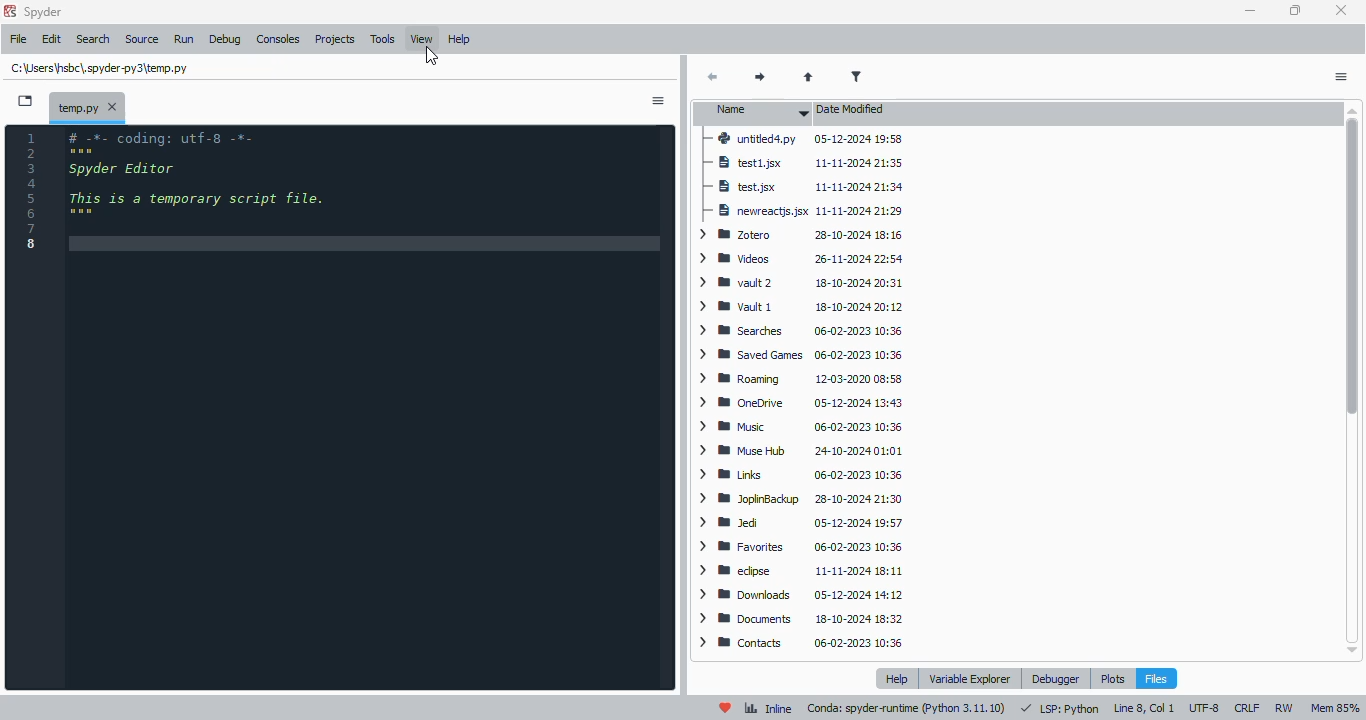 The height and width of the screenshot is (720, 1366). What do you see at coordinates (9, 11) in the screenshot?
I see `logo` at bounding box center [9, 11].